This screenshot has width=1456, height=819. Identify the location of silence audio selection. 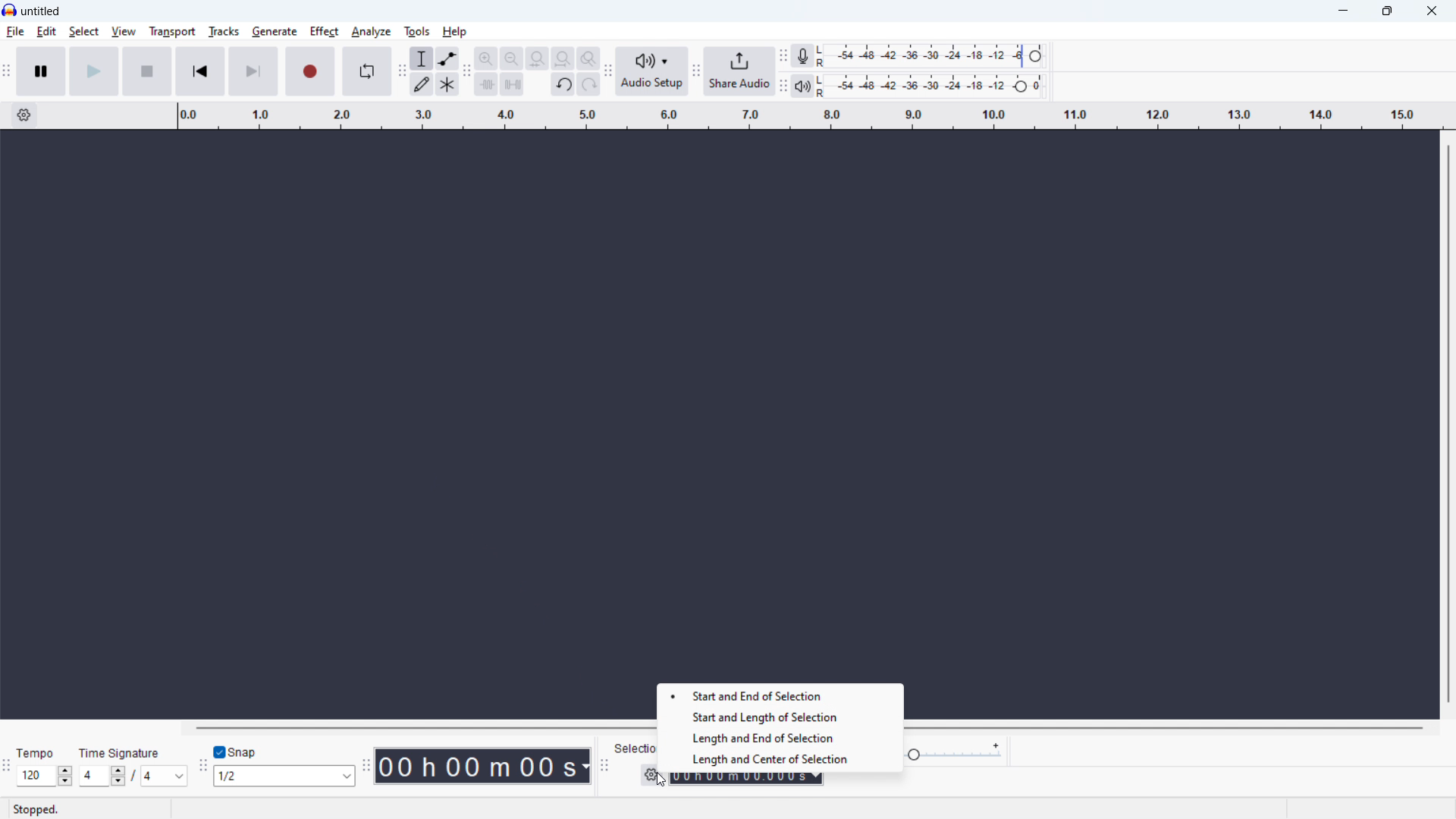
(513, 84).